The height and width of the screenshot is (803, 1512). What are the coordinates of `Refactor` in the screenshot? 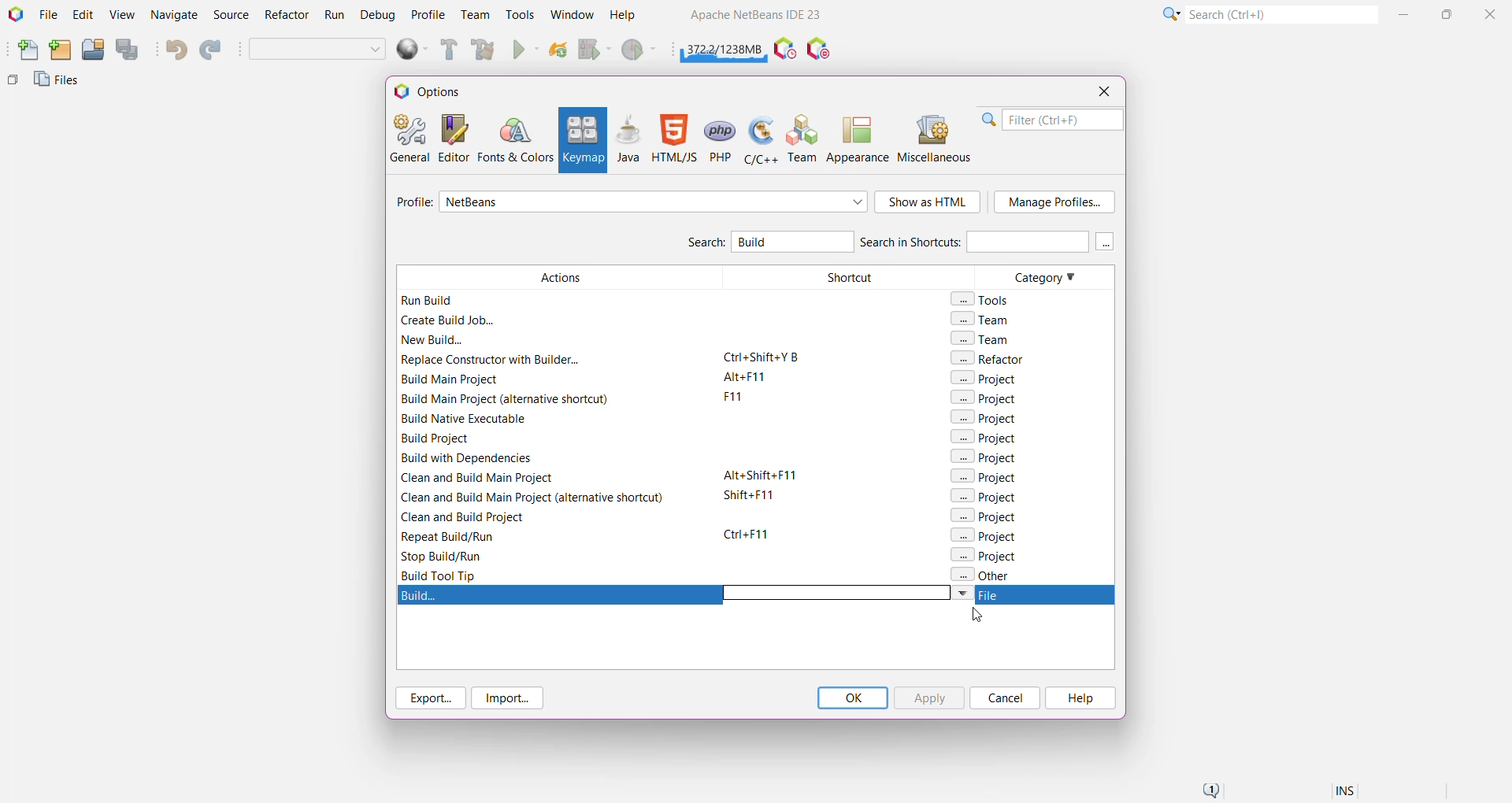 It's located at (288, 17).